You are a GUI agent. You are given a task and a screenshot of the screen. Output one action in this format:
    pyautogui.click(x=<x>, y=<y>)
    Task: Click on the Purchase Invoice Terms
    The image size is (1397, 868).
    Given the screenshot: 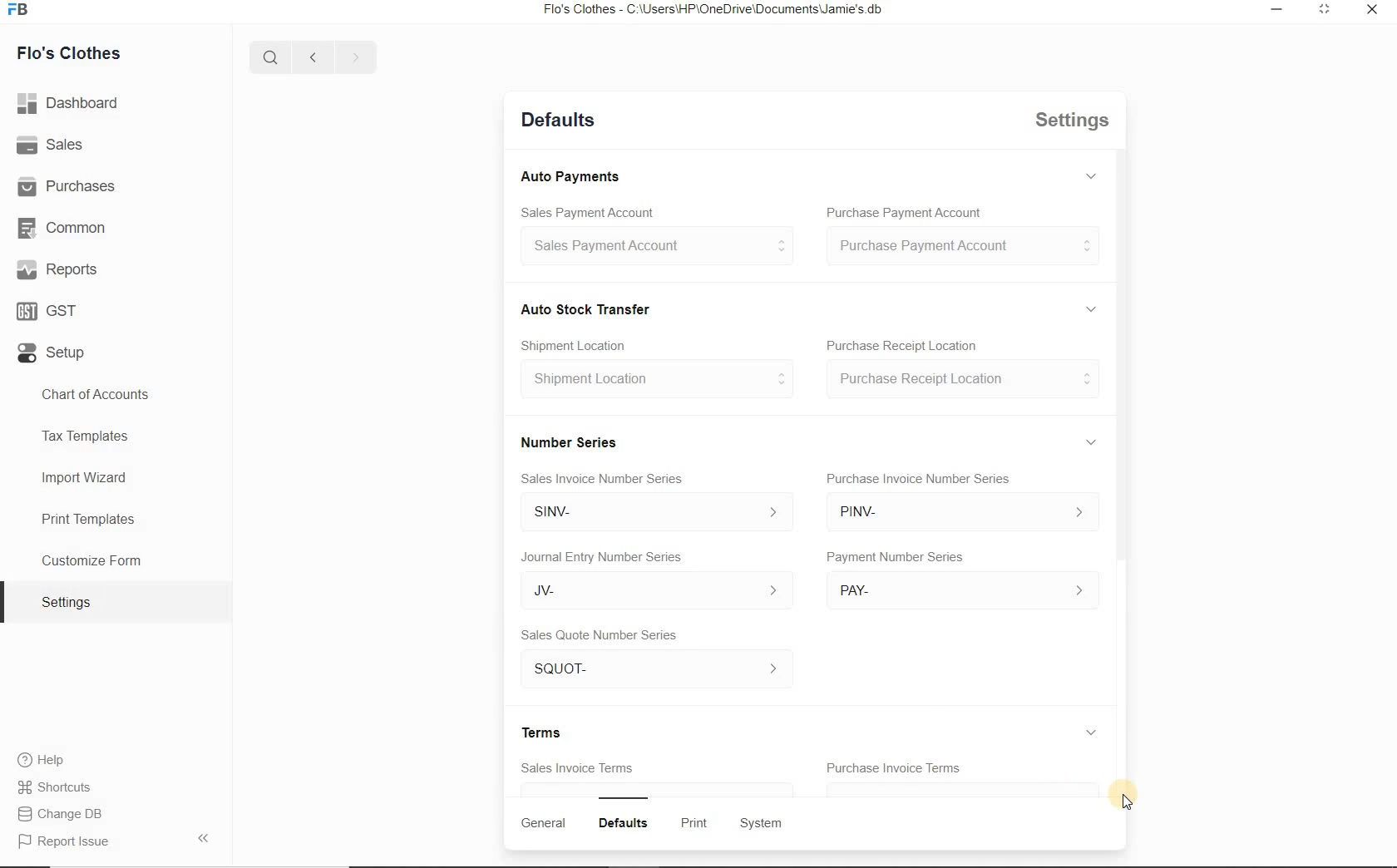 What is the action you would take?
    pyautogui.click(x=896, y=769)
    